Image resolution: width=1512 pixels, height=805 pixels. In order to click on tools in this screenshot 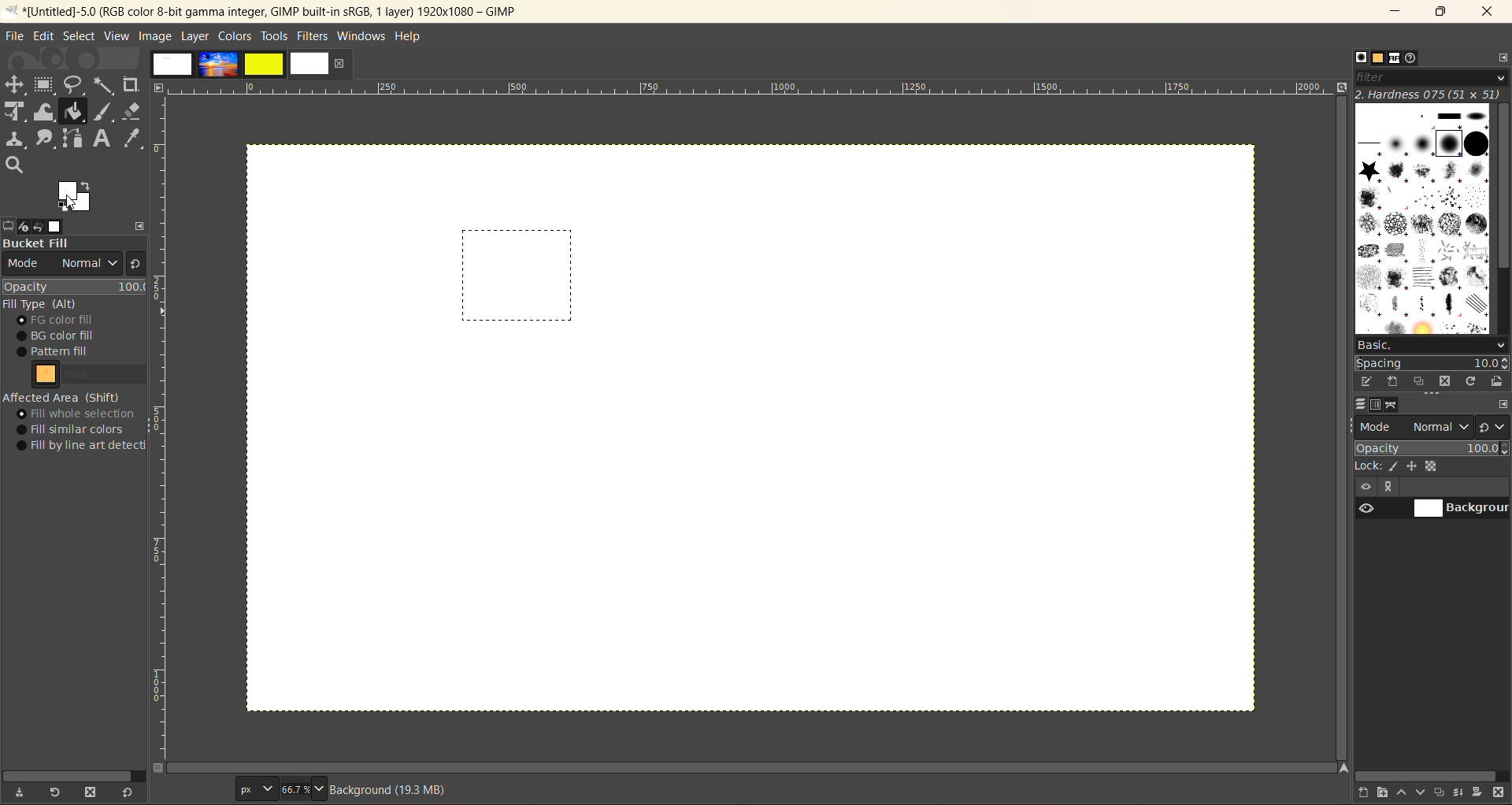, I will do `click(276, 37)`.